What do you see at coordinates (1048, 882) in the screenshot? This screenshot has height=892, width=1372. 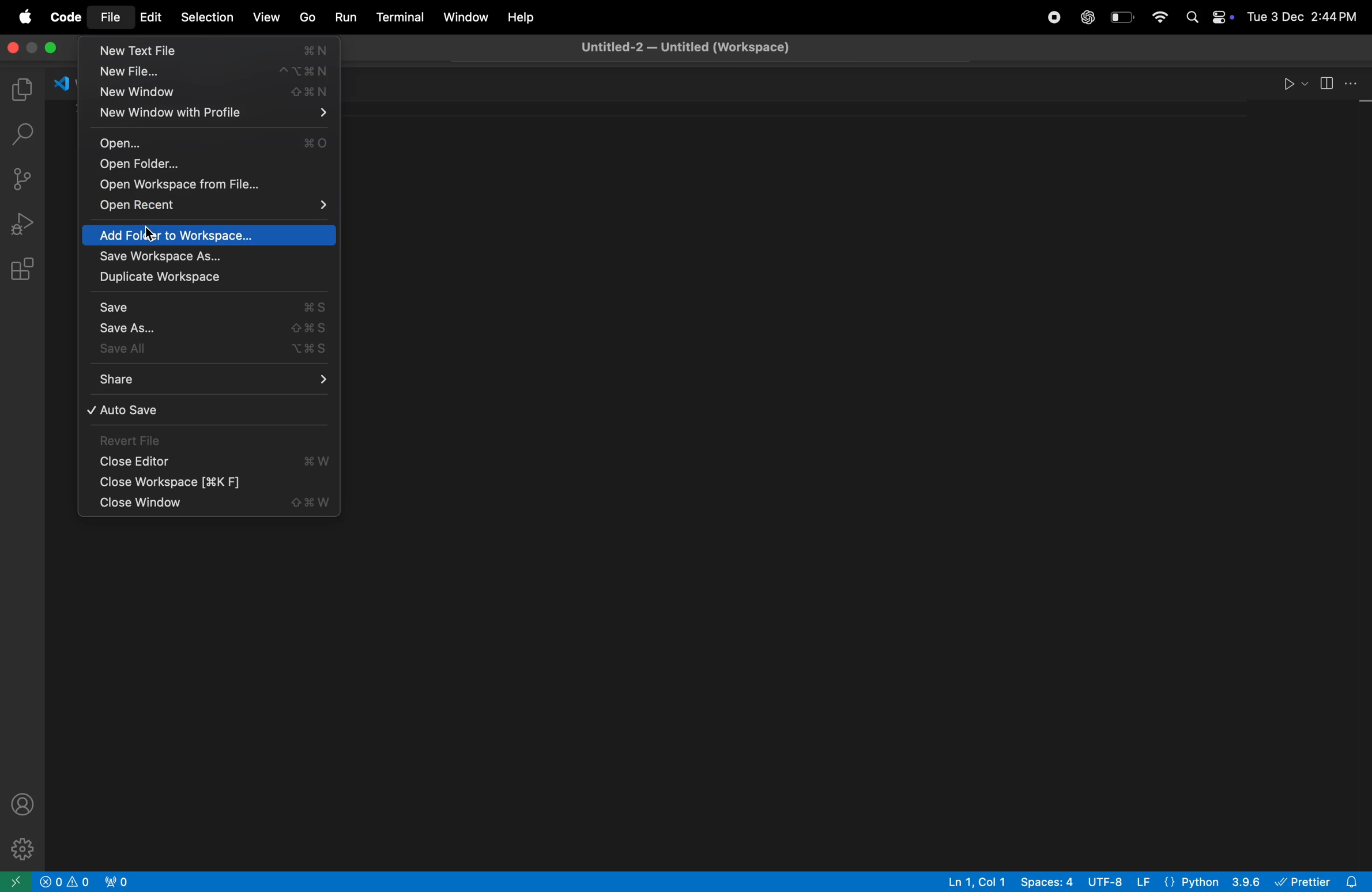 I see `space 4` at bounding box center [1048, 882].